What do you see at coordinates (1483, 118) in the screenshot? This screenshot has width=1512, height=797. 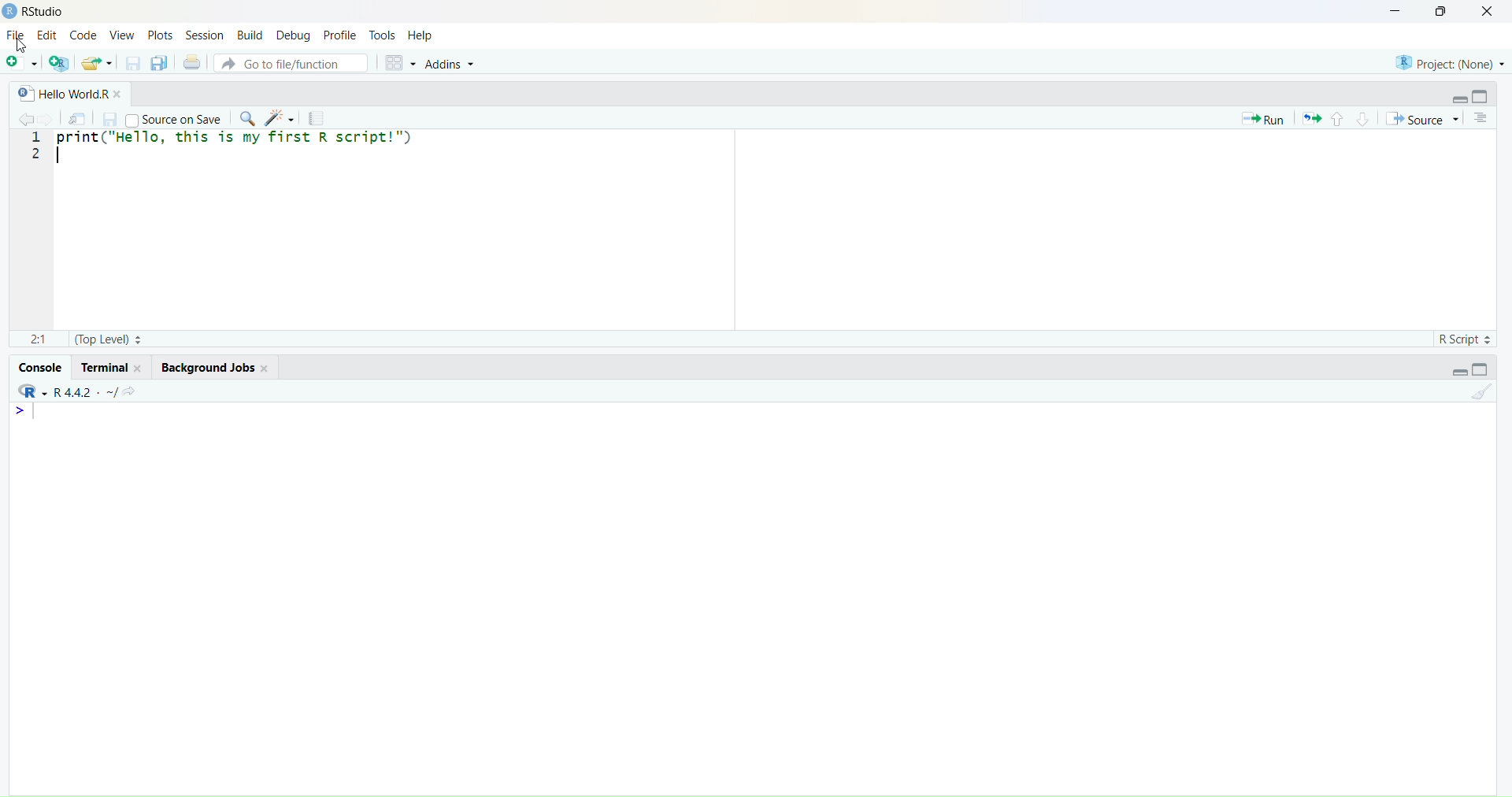 I see `Show document outline (Ctrl + Shift + O)` at bounding box center [1483, 118].